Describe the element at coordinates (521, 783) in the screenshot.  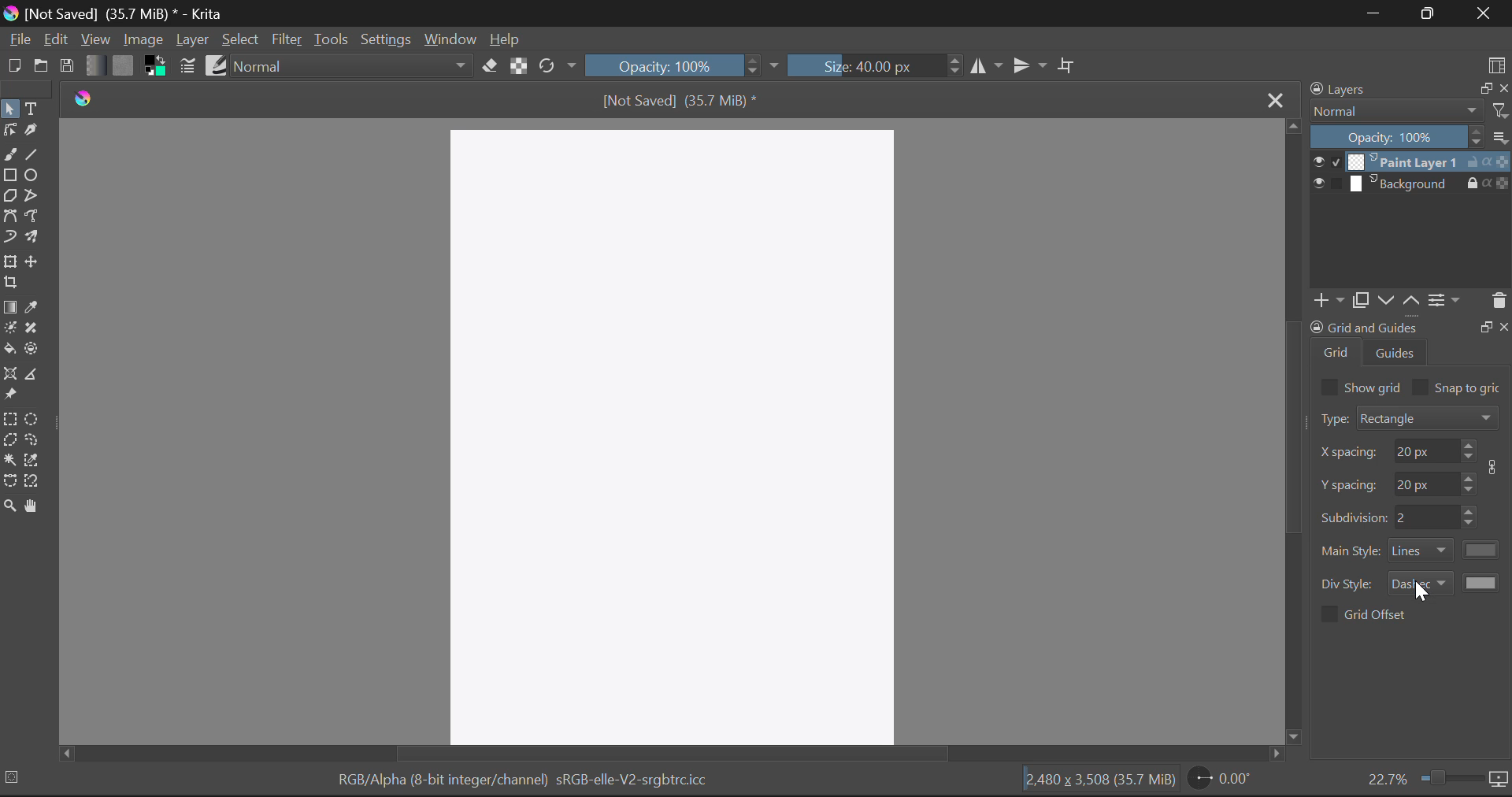
I see `Color Information` at that location.